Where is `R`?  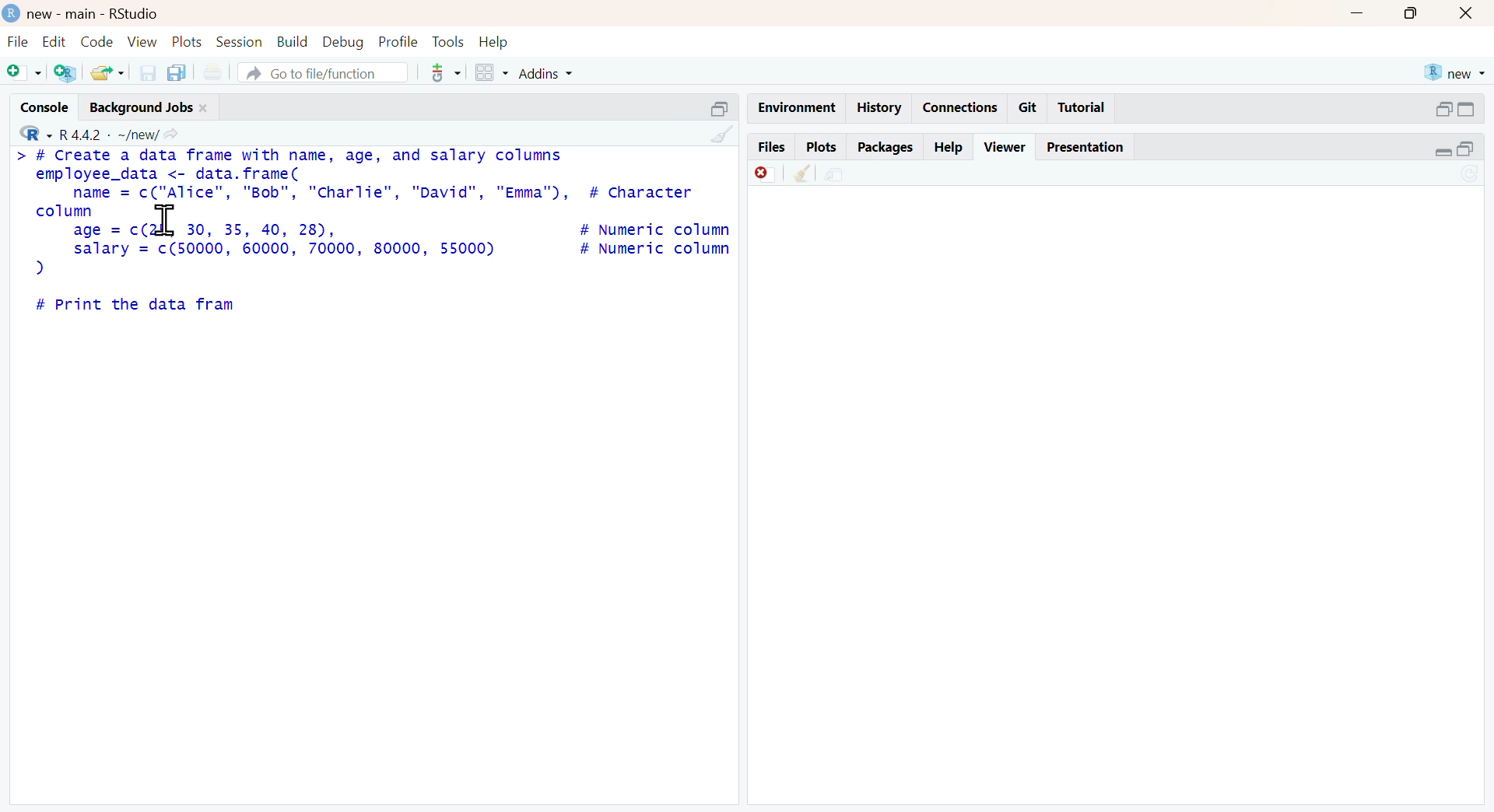 R is located at coordinates (31, 134).